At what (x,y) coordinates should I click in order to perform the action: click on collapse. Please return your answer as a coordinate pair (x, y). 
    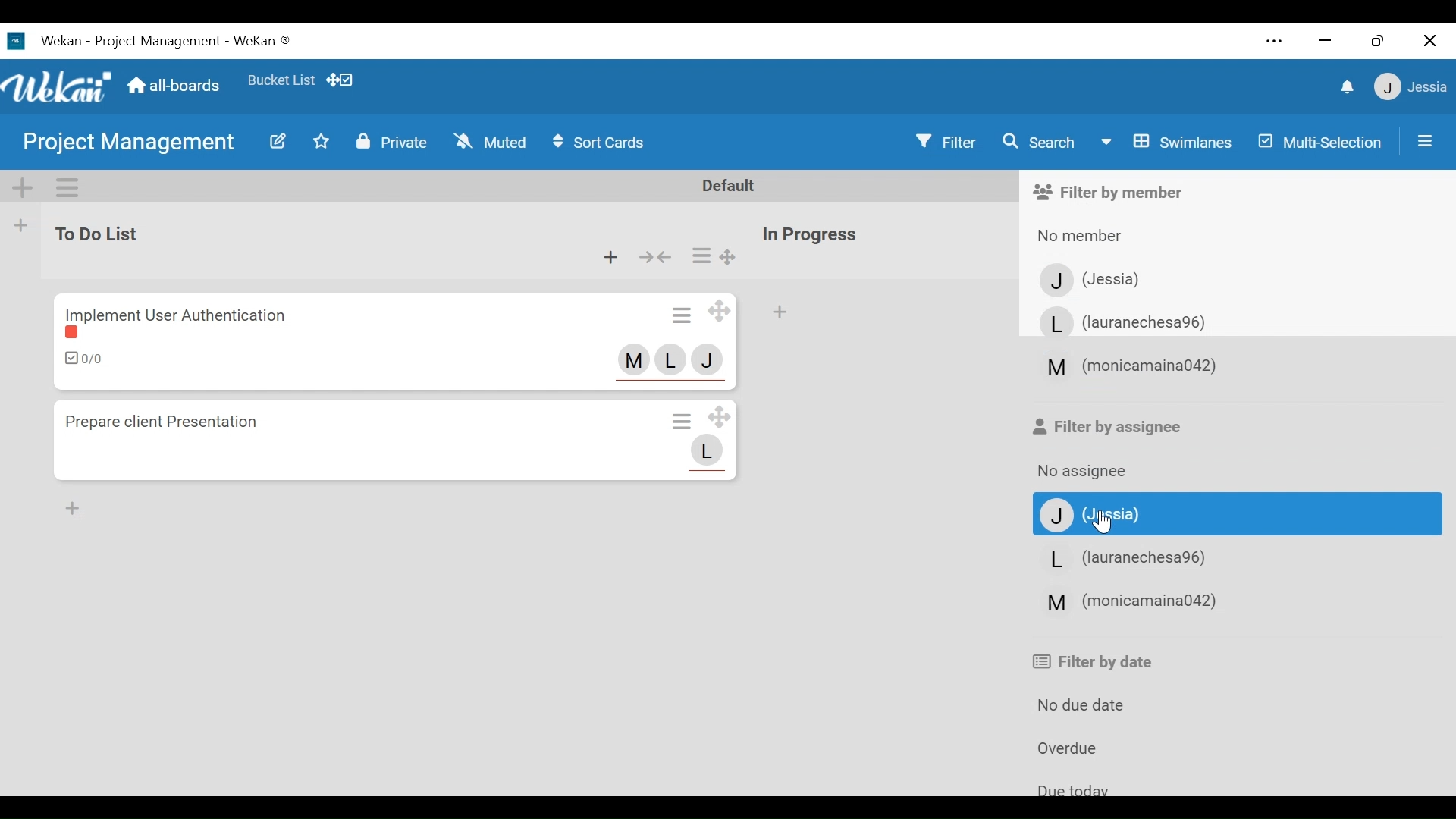
    Looking at the image, I should click on (655, 258).